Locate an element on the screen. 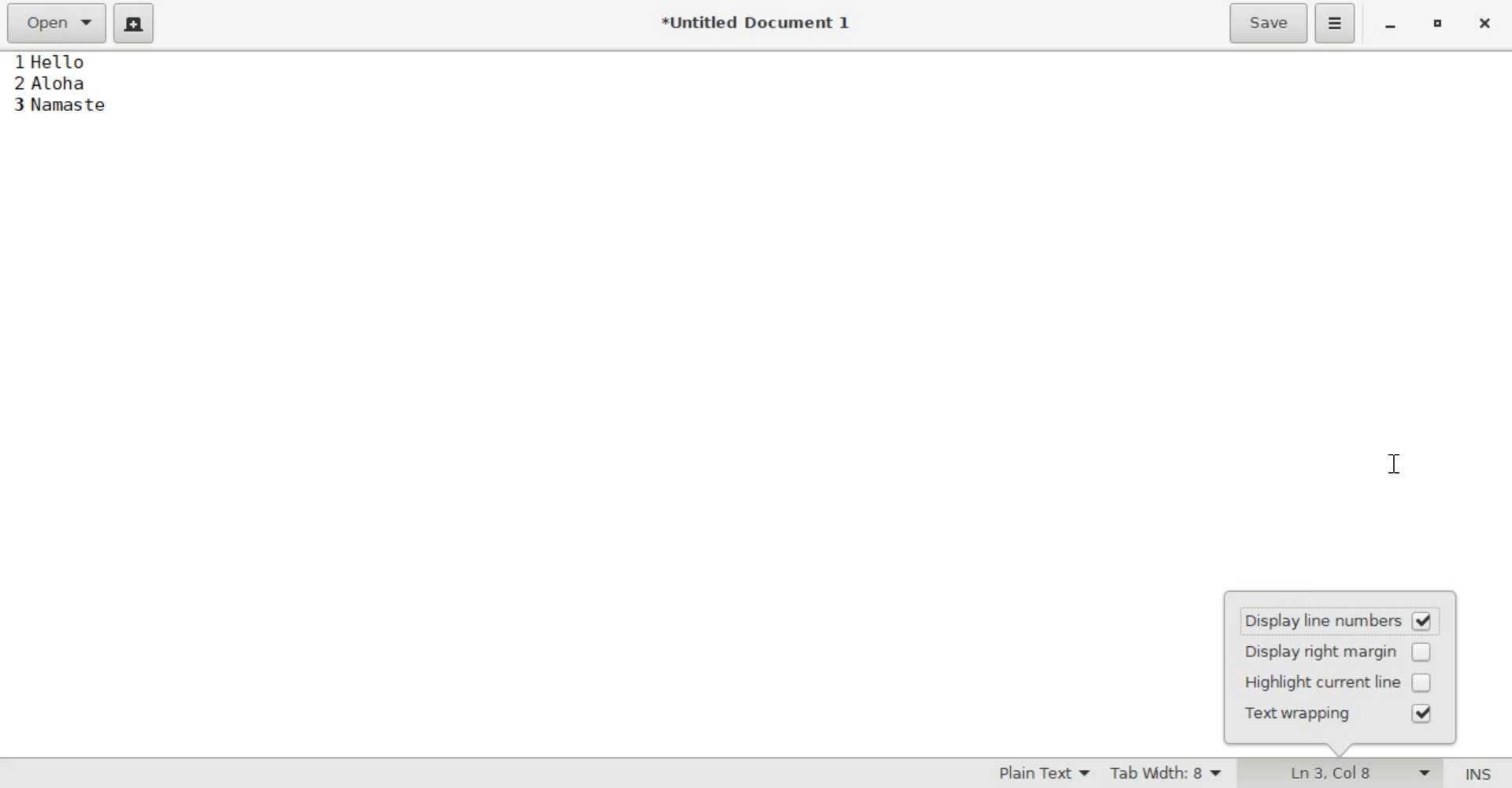 This screenshot has height=788, width=1512. Unselected Checkbox is located at coordinates (1421, 682).